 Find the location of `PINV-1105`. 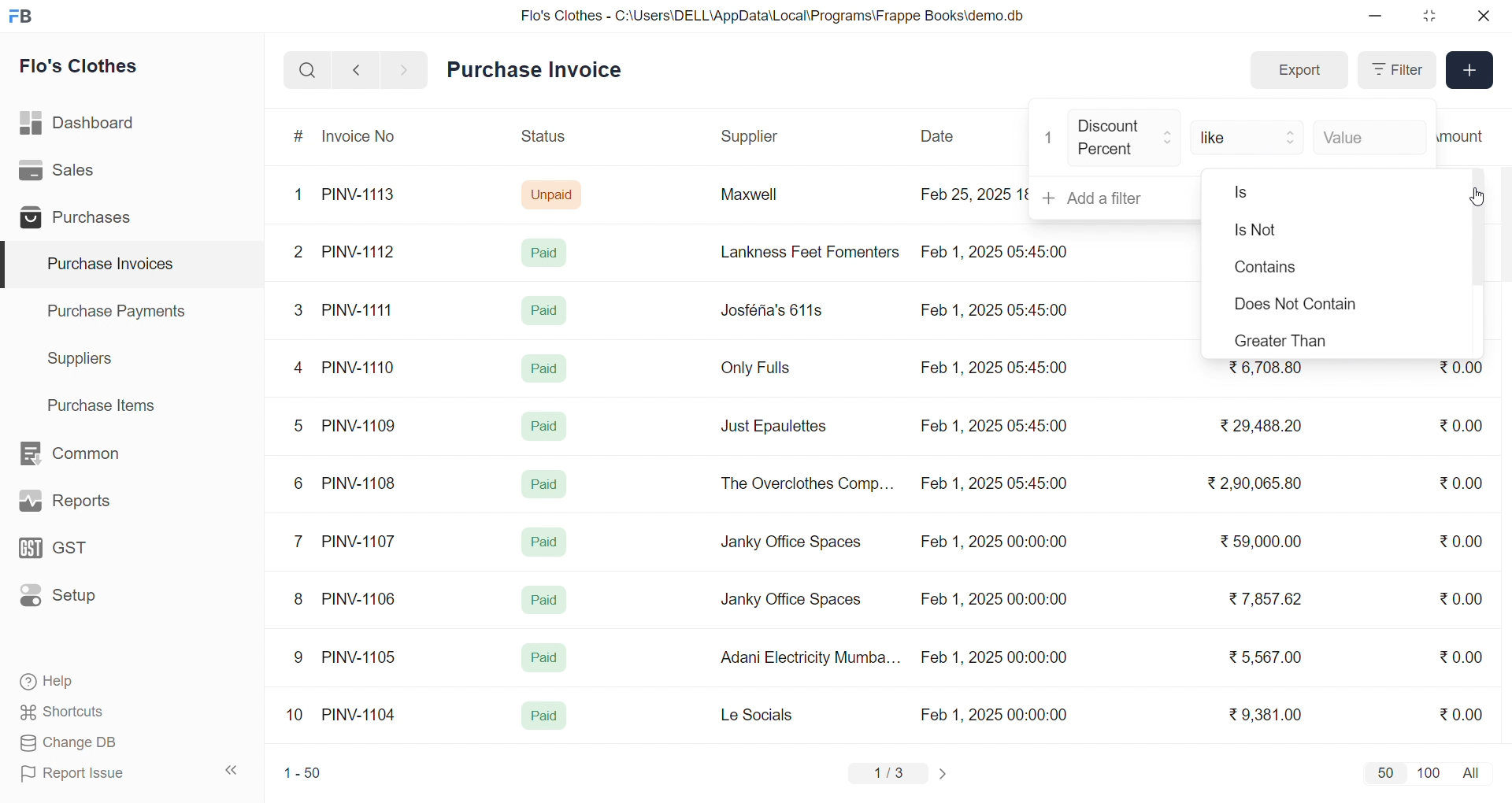

PINV-1105 is located at coordinates (362, 657).